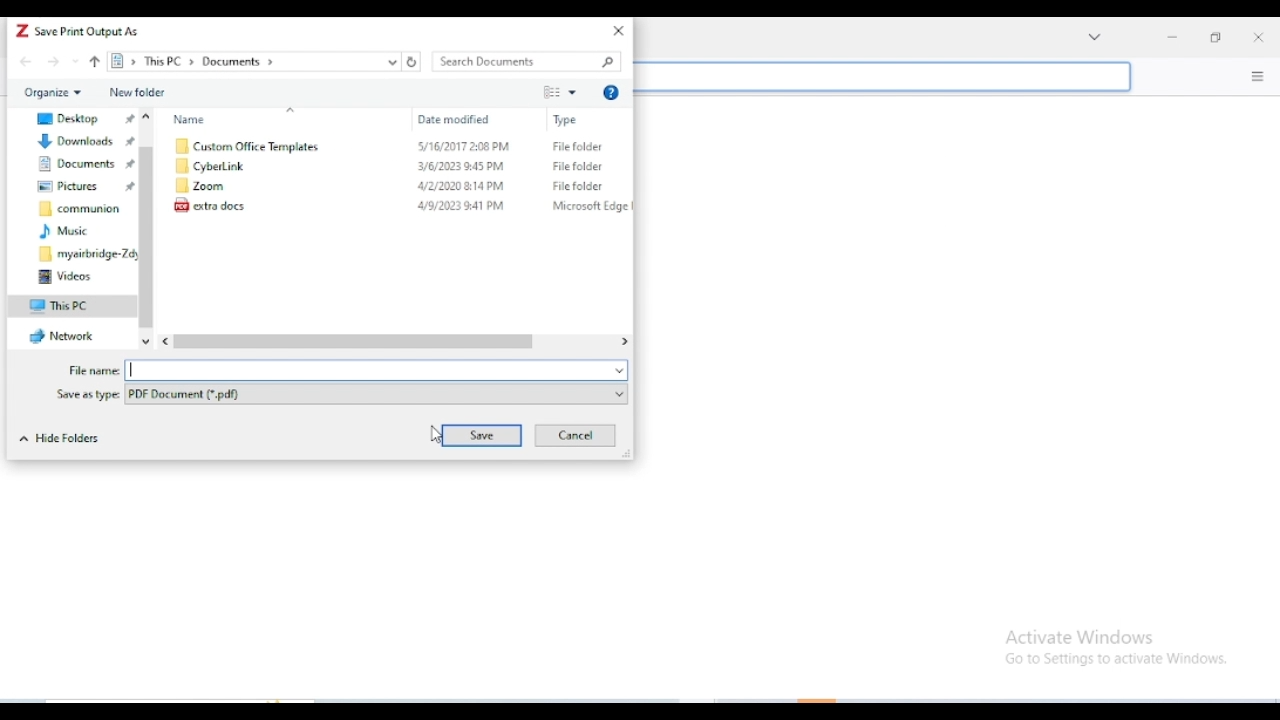  Describe the element at coordinates (190, 120) in the screenshot. I see `Name` at that location.